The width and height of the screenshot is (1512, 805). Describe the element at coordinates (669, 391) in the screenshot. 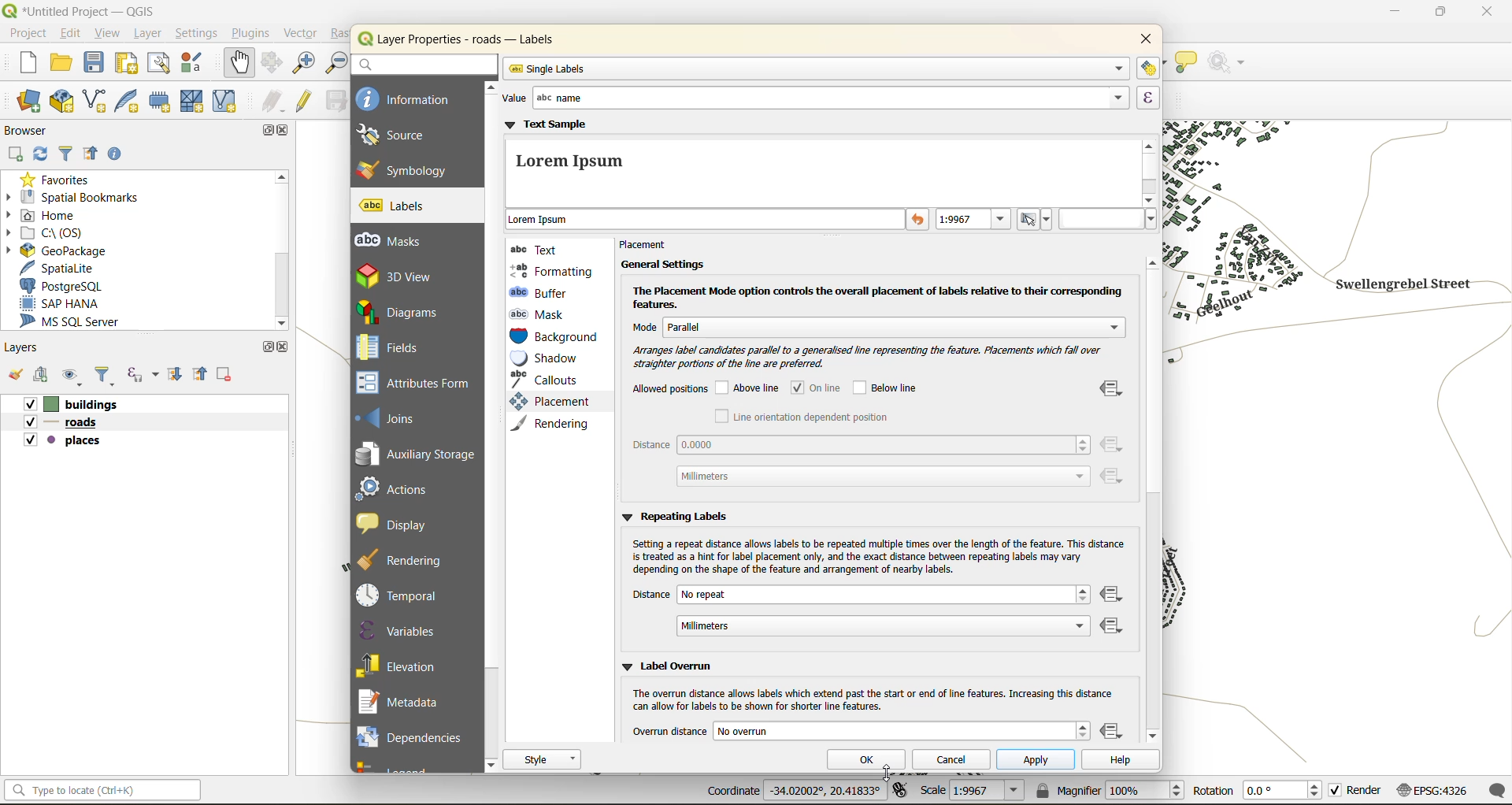

I see `allowed positions` at that location.